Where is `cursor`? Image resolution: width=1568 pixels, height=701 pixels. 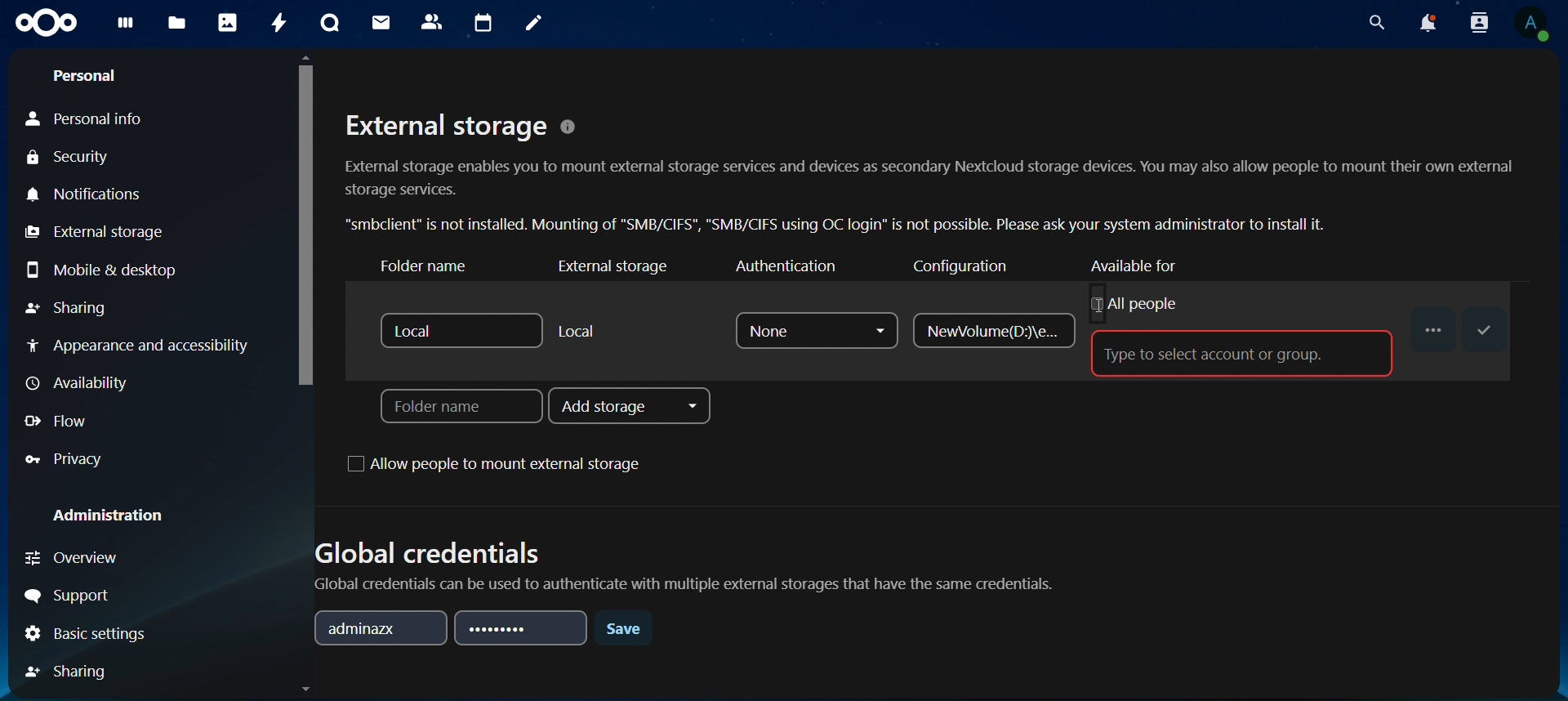
cursor is located at coordinates (305, 221).